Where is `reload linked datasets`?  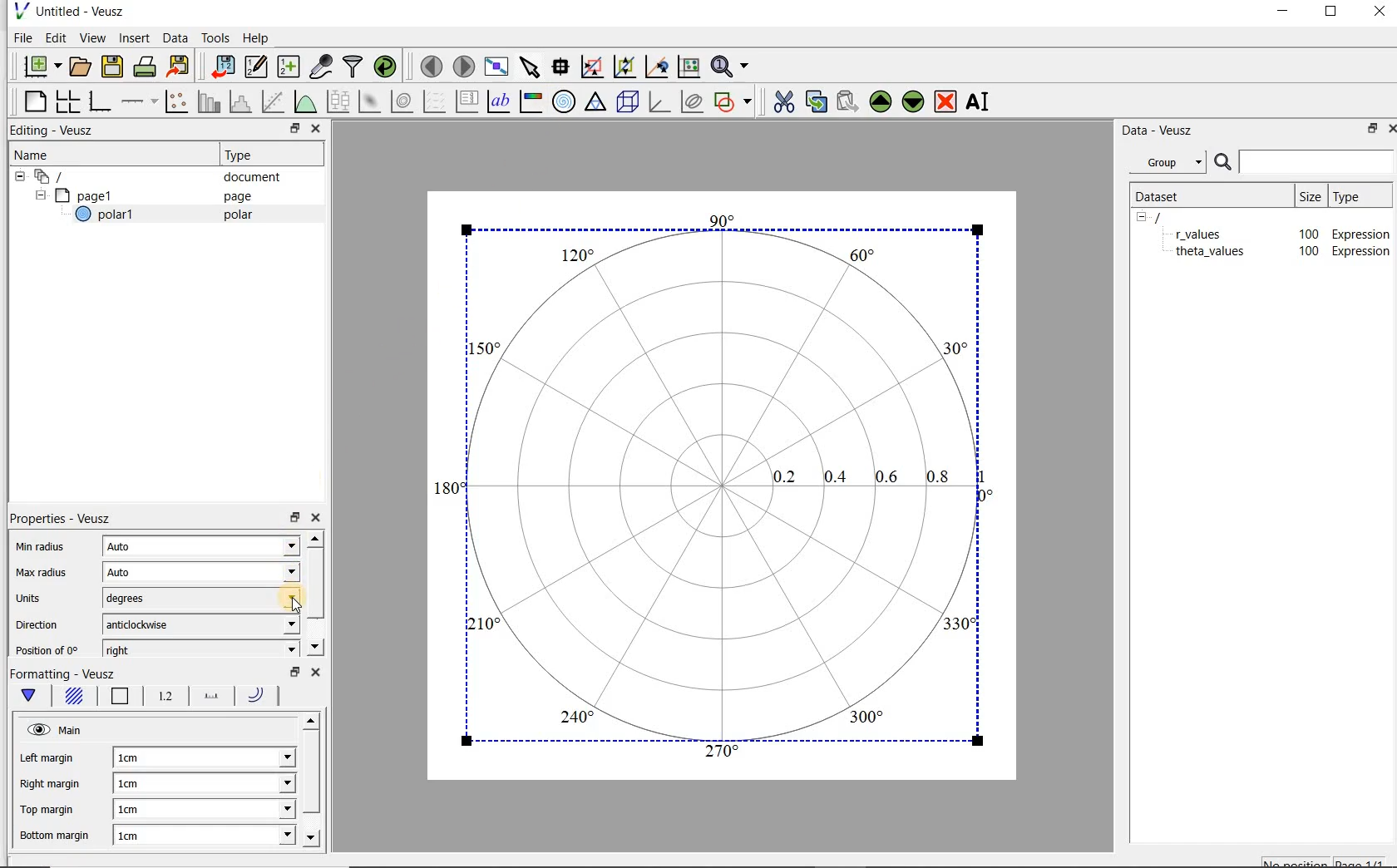
reload linked datasets is located at coordinates (388, 67).